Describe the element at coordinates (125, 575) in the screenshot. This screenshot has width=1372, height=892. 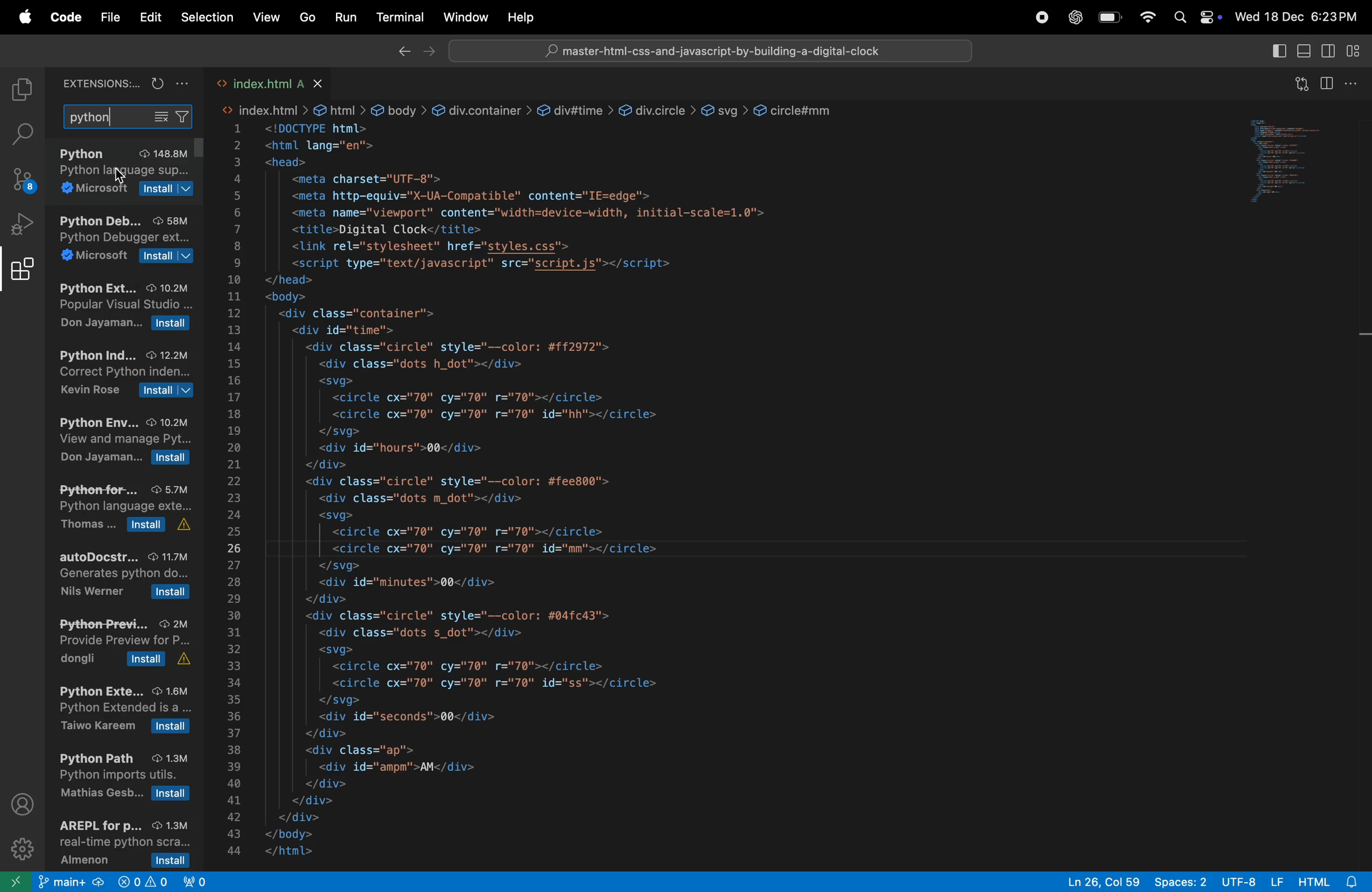
I see `auto docstrat ` at that location.